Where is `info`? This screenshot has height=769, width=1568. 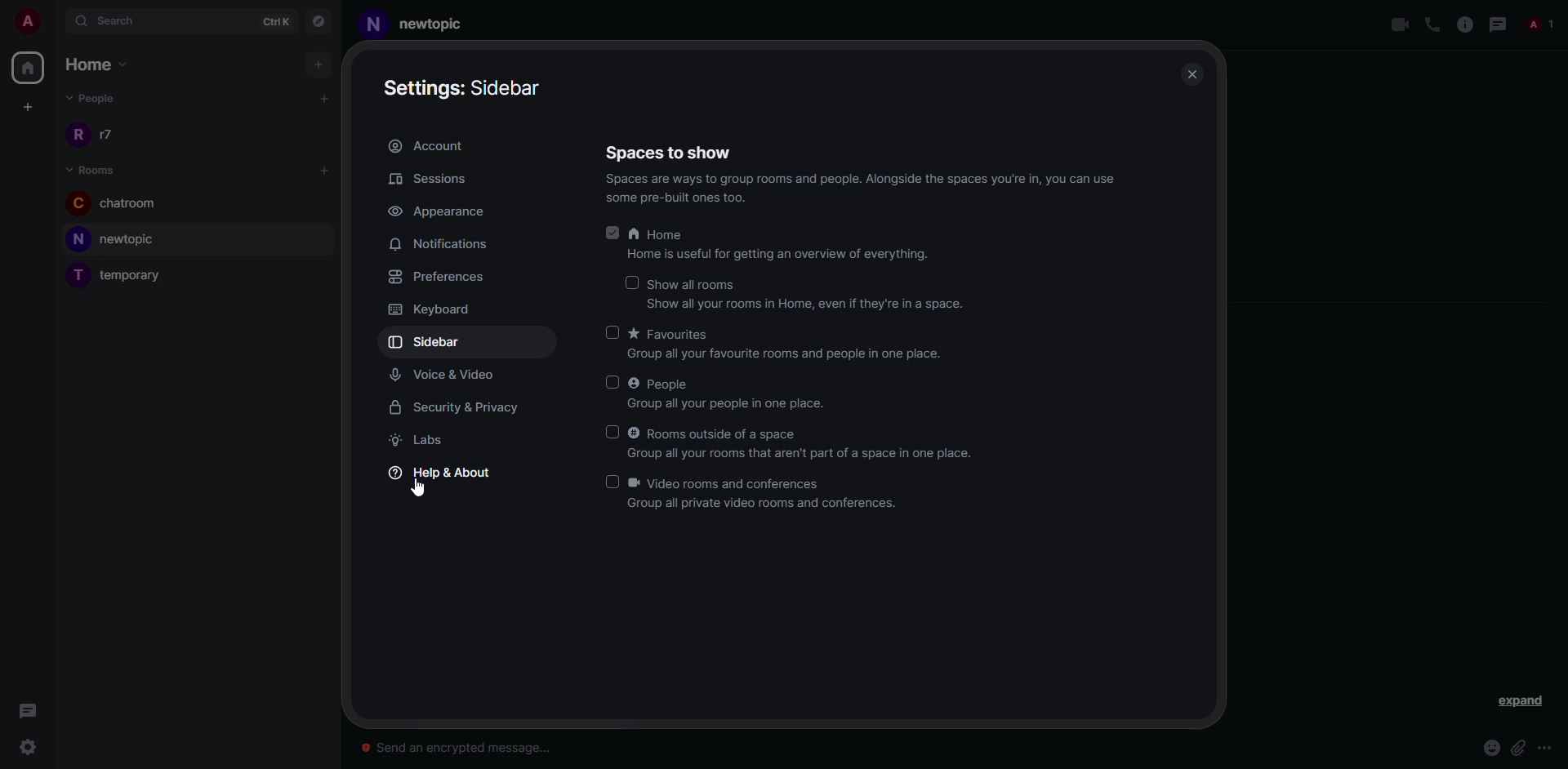
info is located at coordinates (809, 305).